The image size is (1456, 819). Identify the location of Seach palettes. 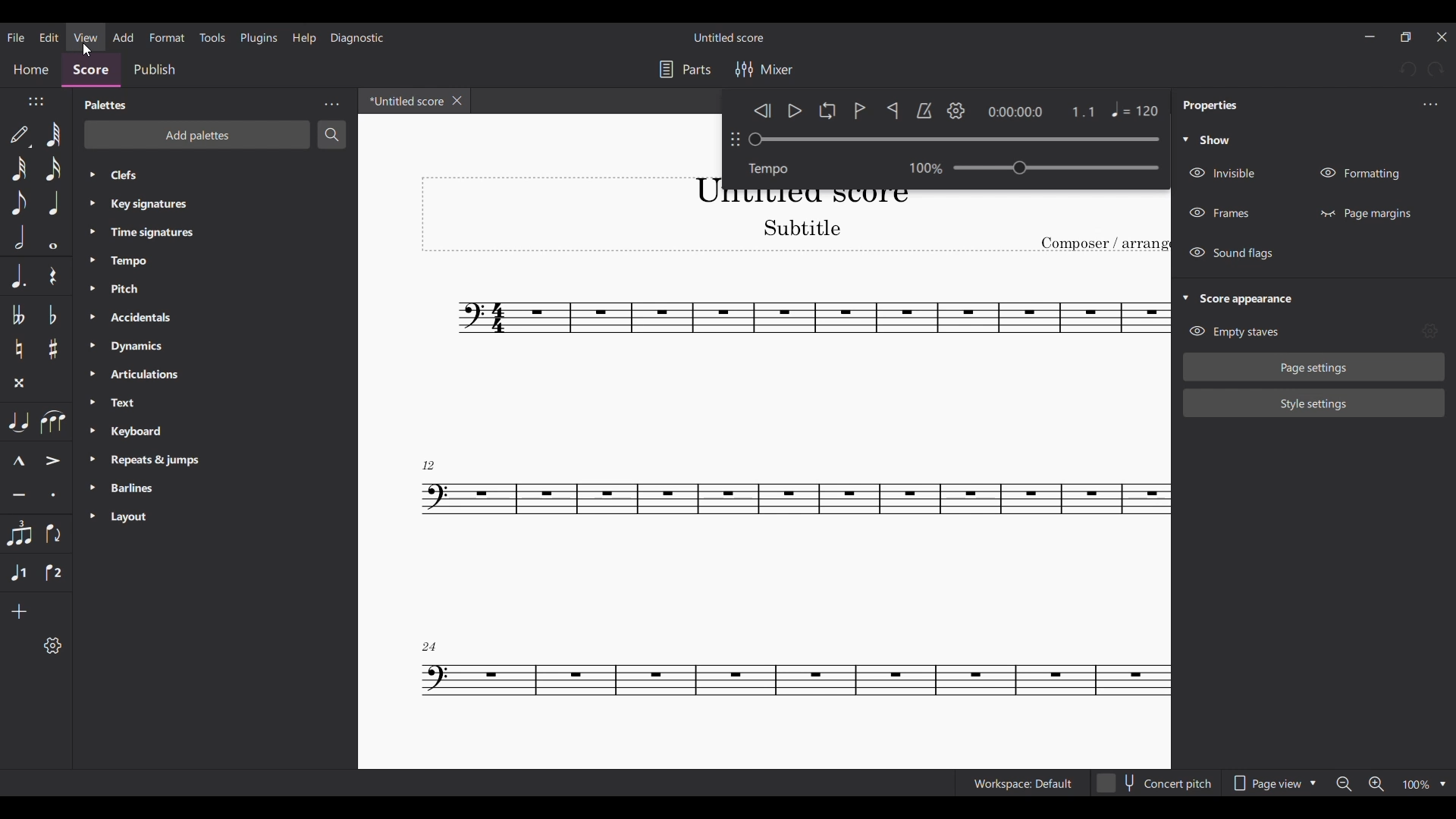
(331, 135).